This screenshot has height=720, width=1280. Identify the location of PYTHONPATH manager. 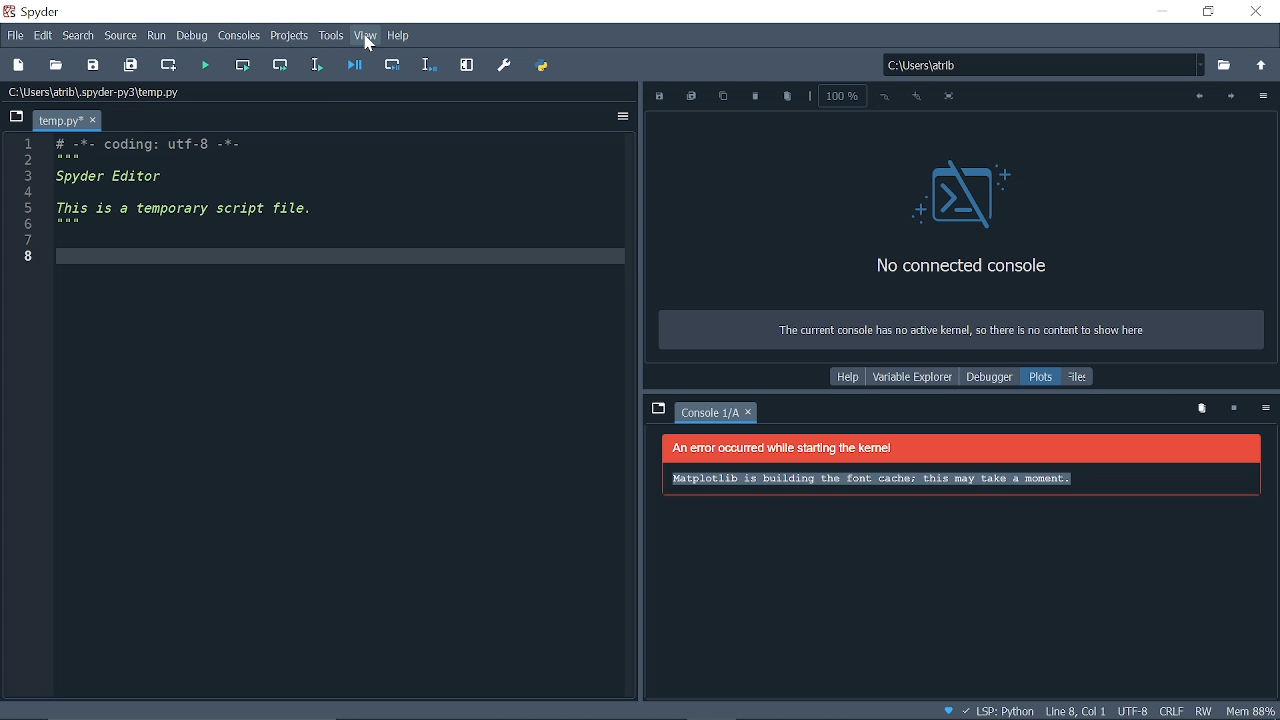
(542, 66).